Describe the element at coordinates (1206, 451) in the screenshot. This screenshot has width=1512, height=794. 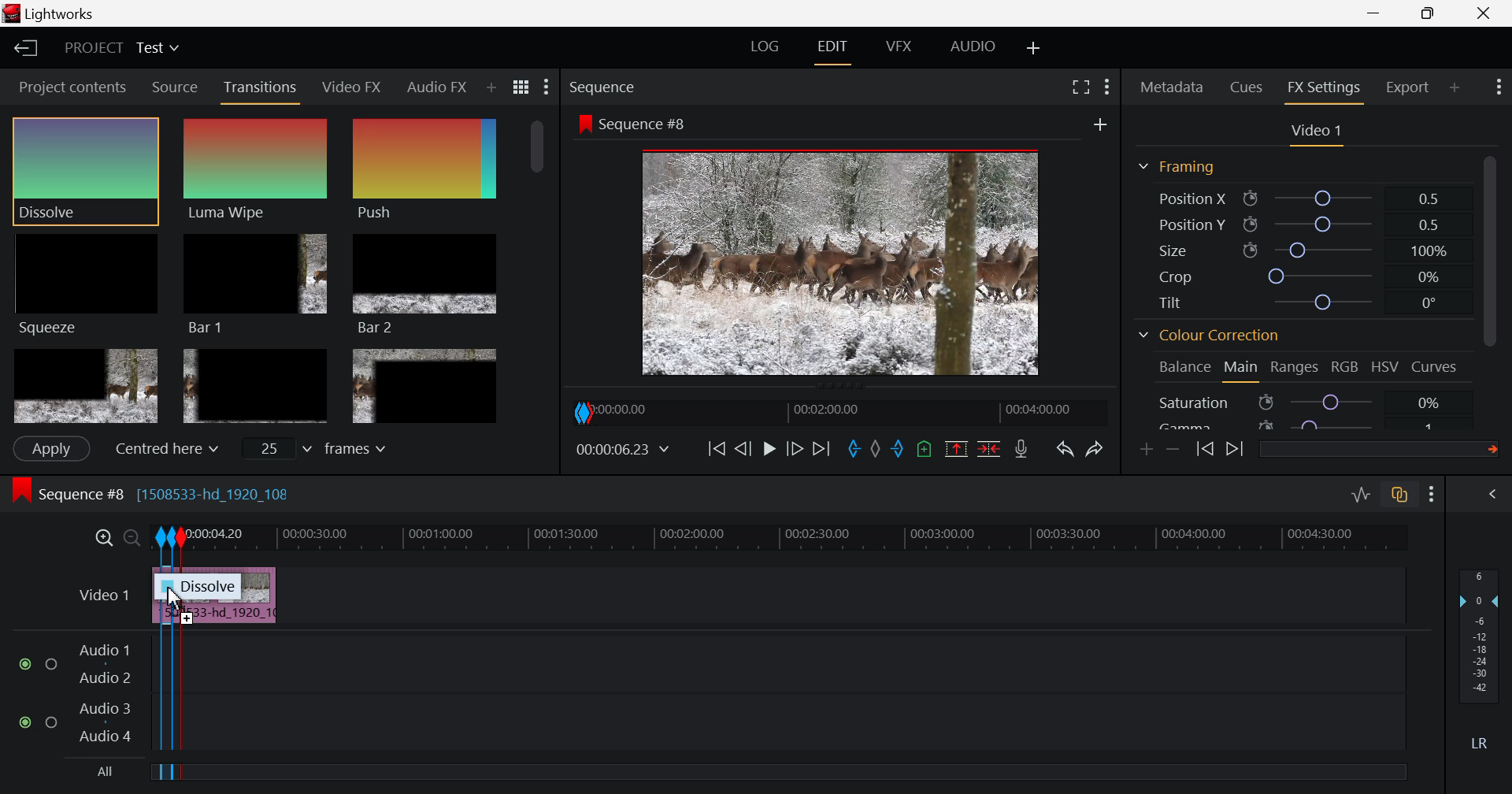
I see `Previous keyframe` at that location.